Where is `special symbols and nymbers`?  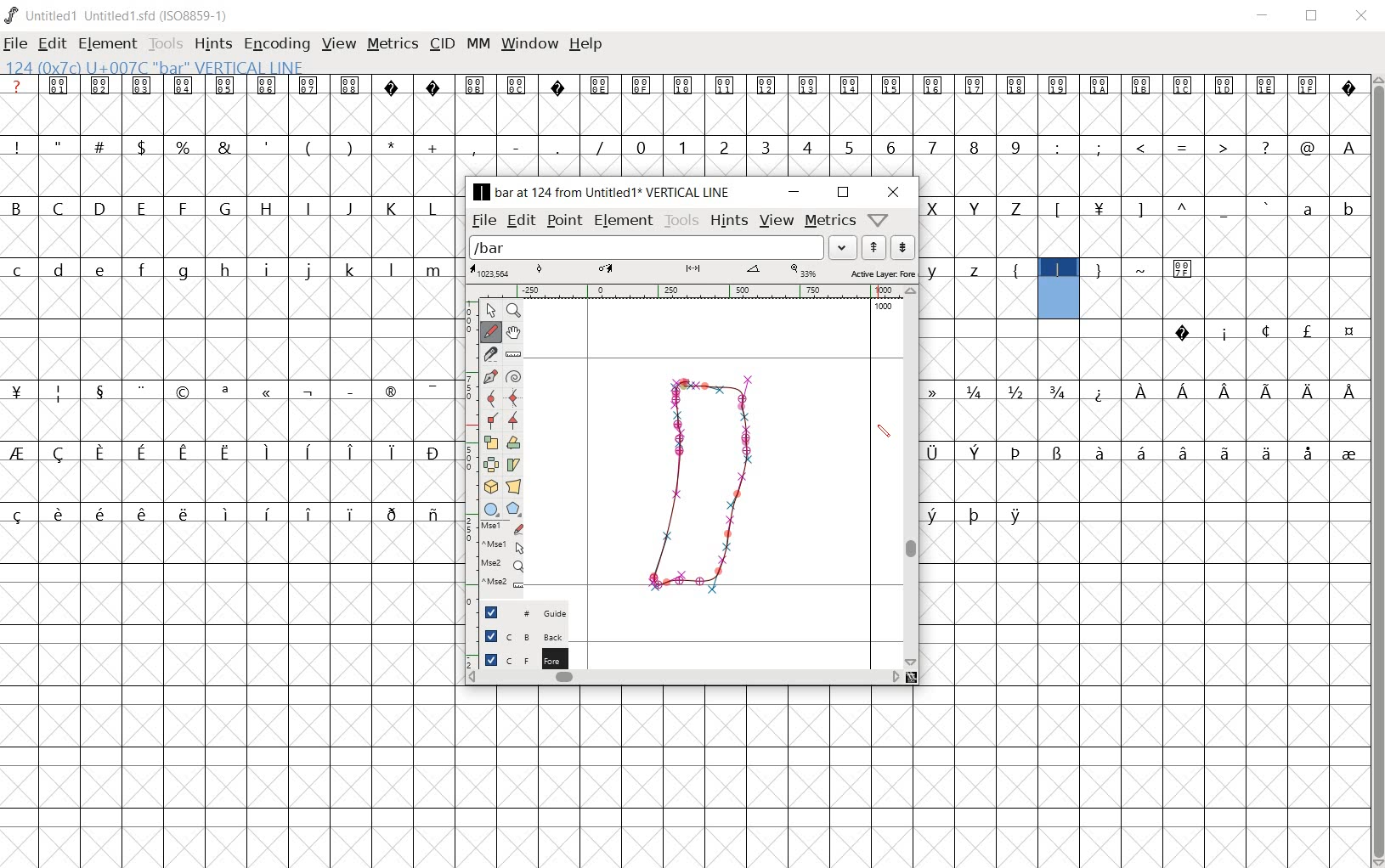
special symbols and nymbers is located at coordinates (229, 391).